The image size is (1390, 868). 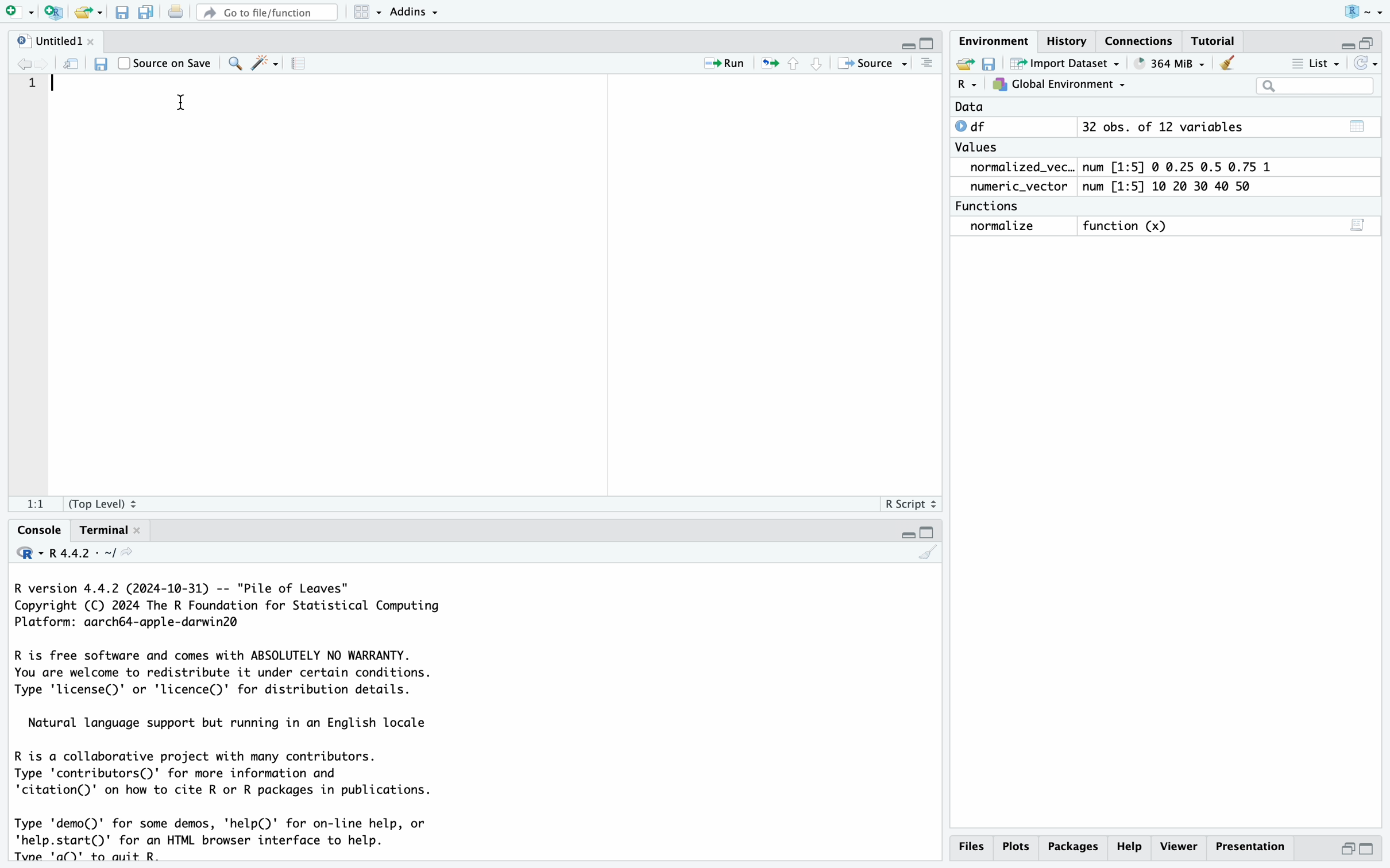 What do you see at coordinates (910, 503) in the screenshot?
I see `R Script` at bounding box center [910, 503].